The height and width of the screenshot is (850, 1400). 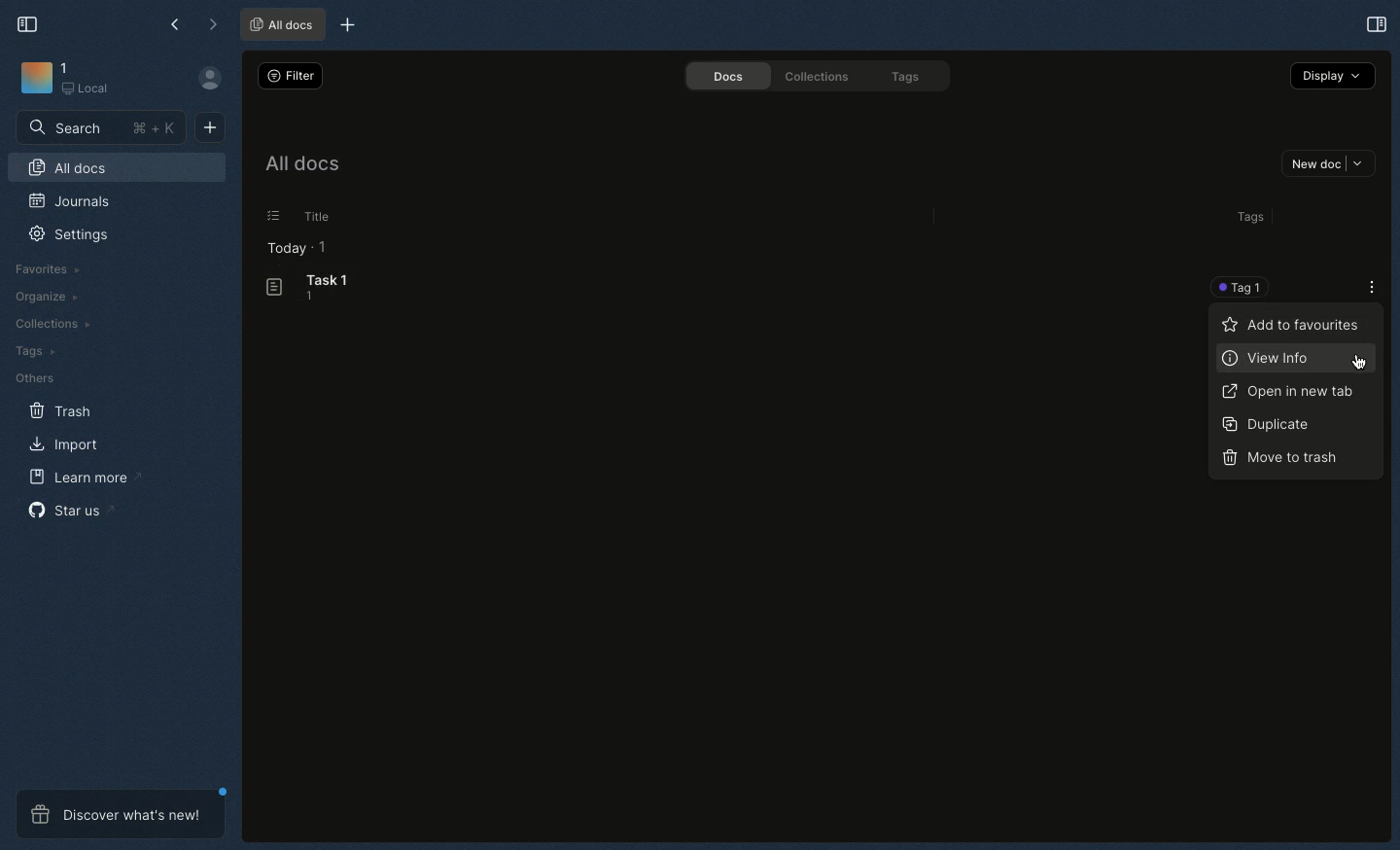 I want to click on Learn more, so click(x=85, y=478).